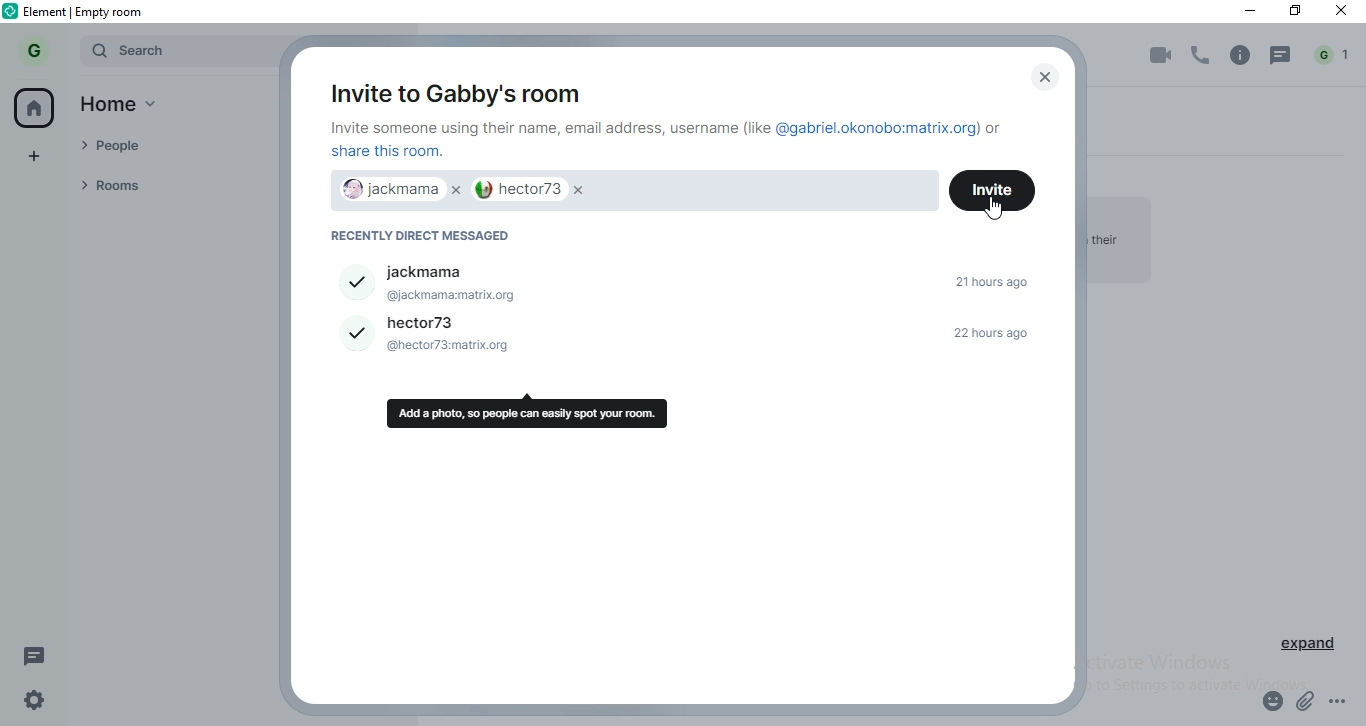  I want to click on emoji, so click(1269, 704).